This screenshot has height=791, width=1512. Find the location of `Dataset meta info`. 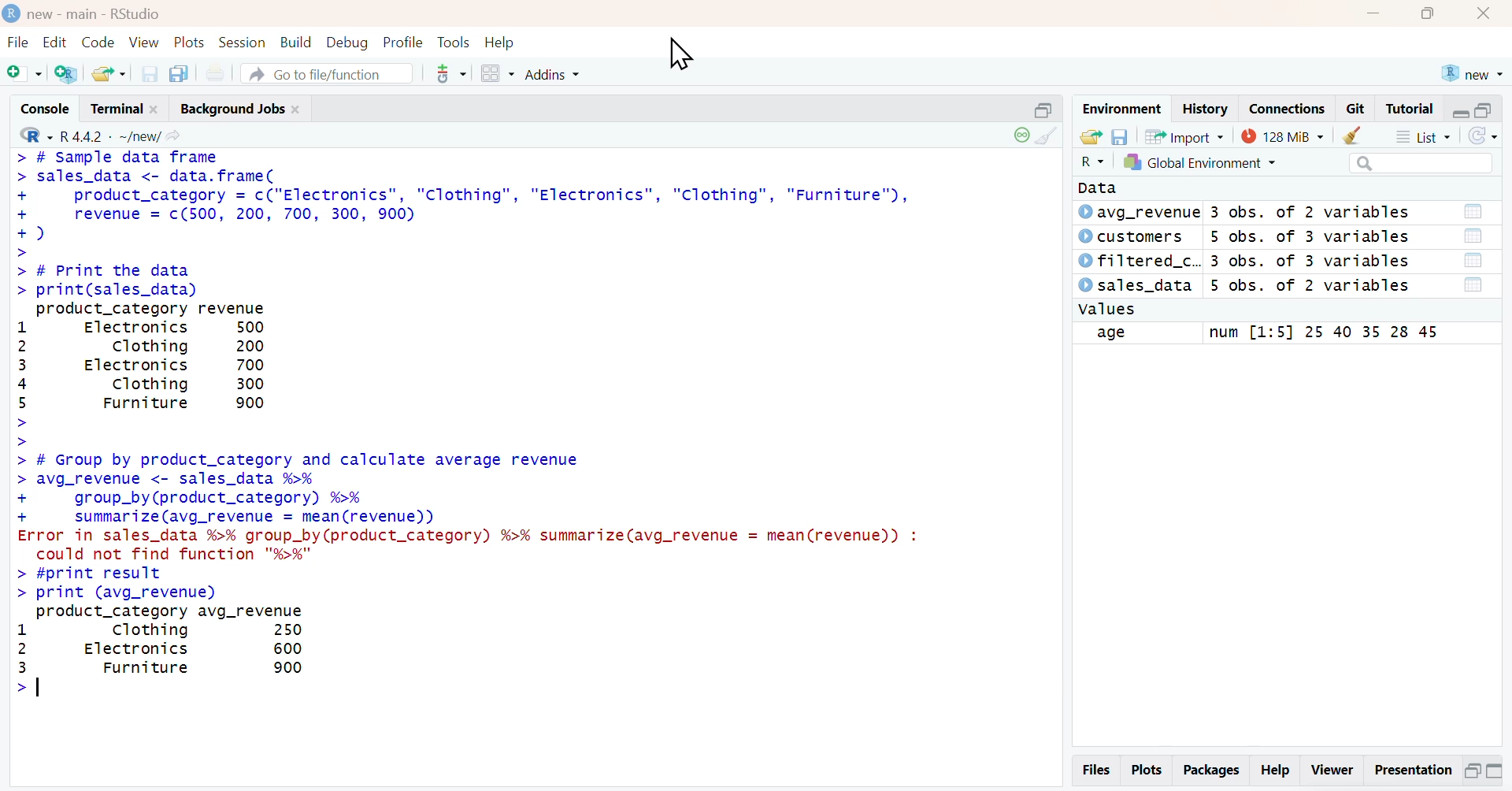

Dataset meta info is located at coordinates (1313, 250).